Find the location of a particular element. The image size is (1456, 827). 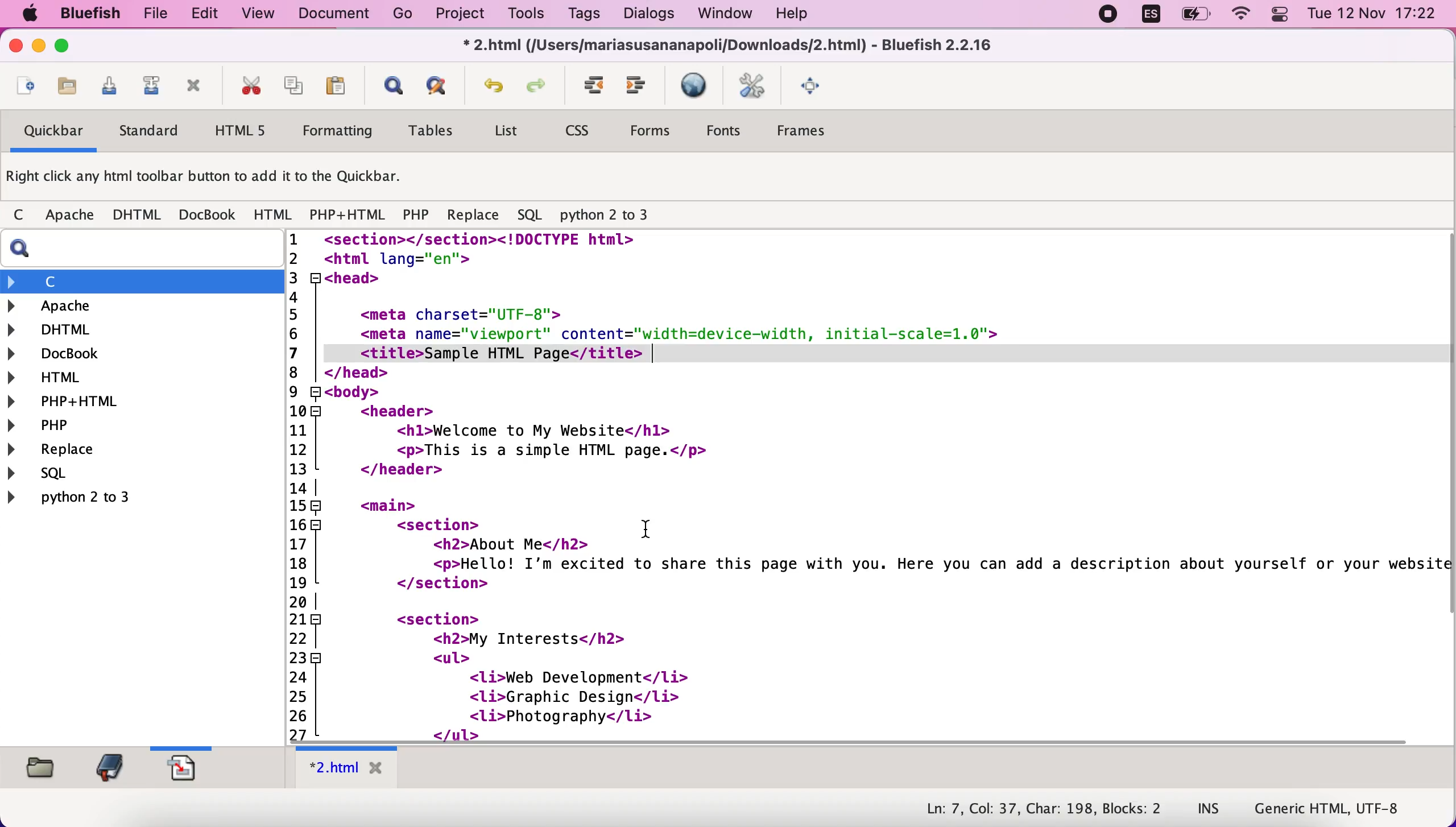

redo is located at coordinates (537, 86).